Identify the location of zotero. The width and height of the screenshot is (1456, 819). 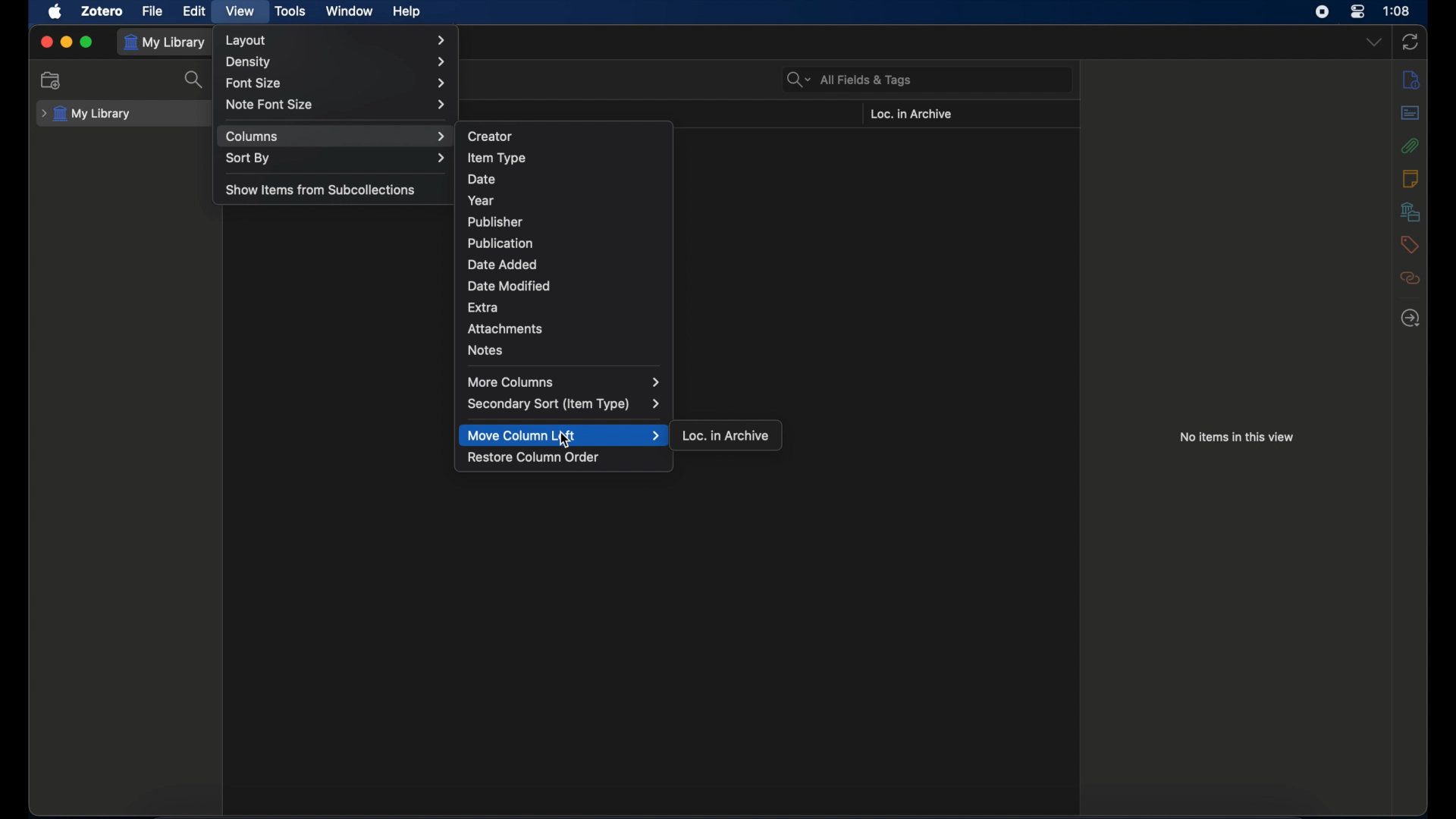
(103, 11).